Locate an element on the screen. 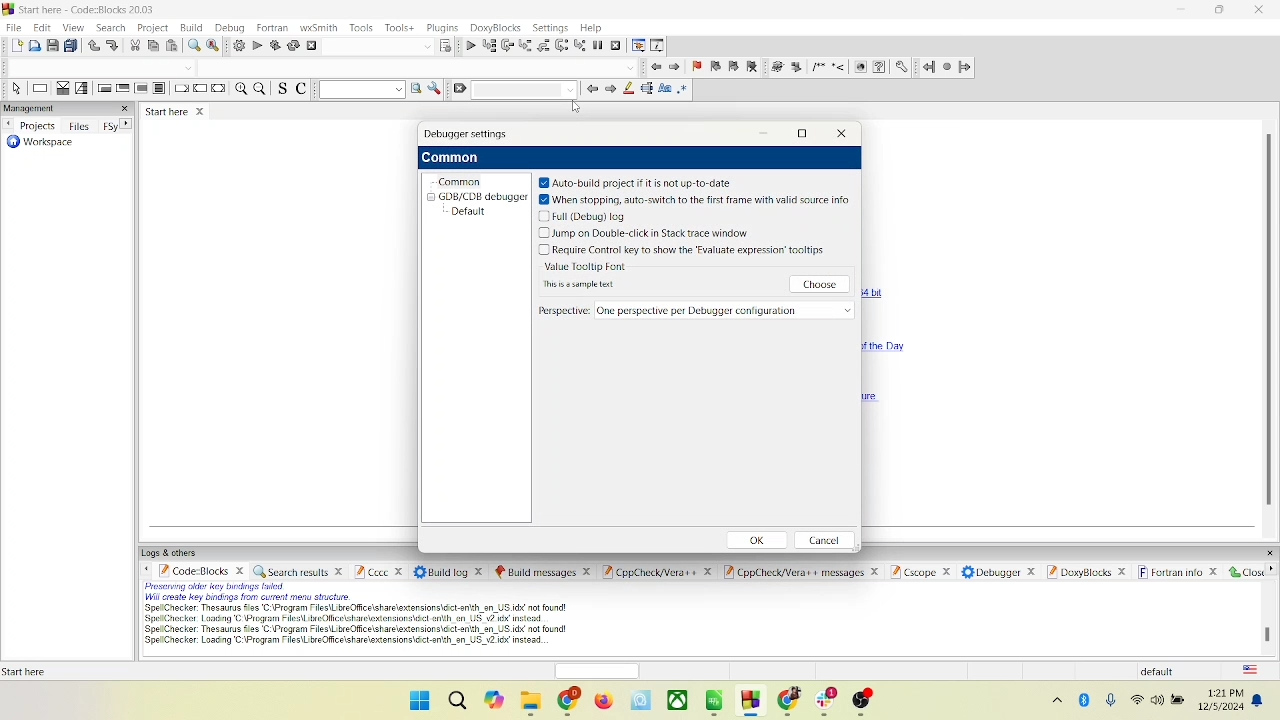 The height and width of the screenshot is (720, 1280). common is located at coordinates (458, 182).